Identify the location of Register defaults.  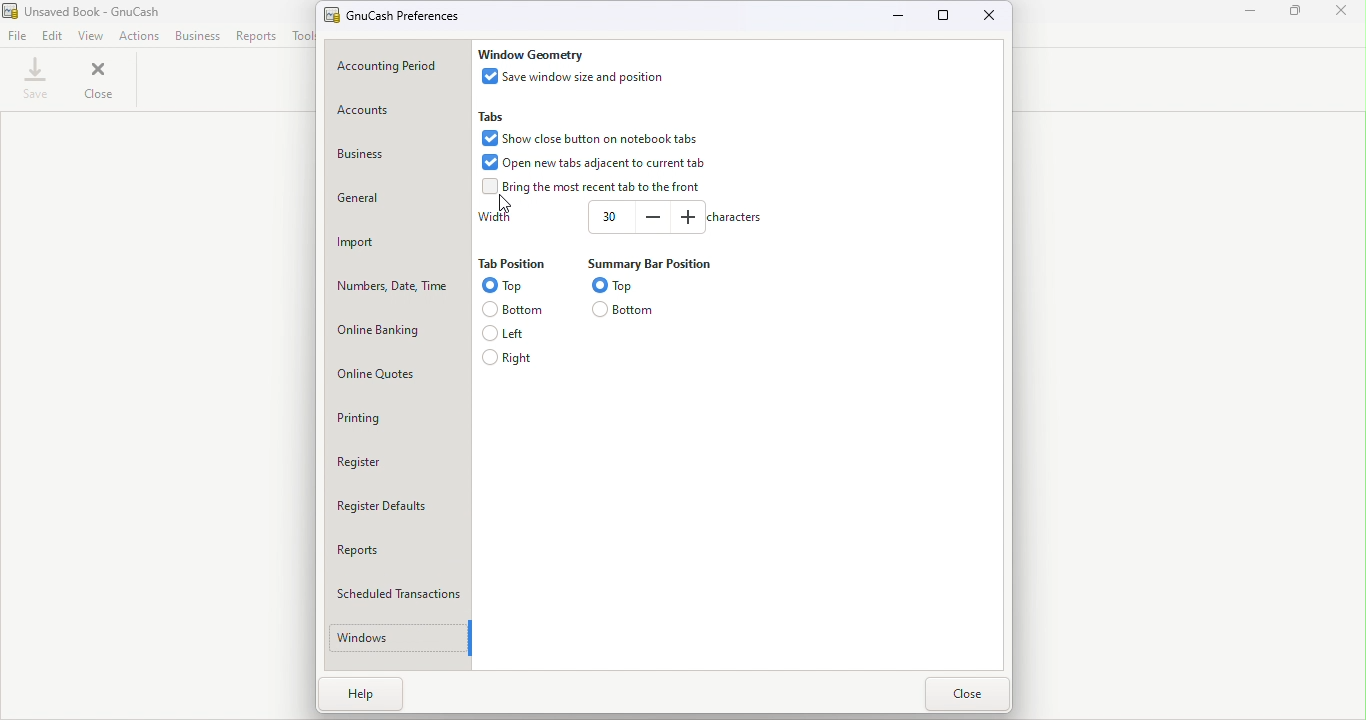
(400, 504).